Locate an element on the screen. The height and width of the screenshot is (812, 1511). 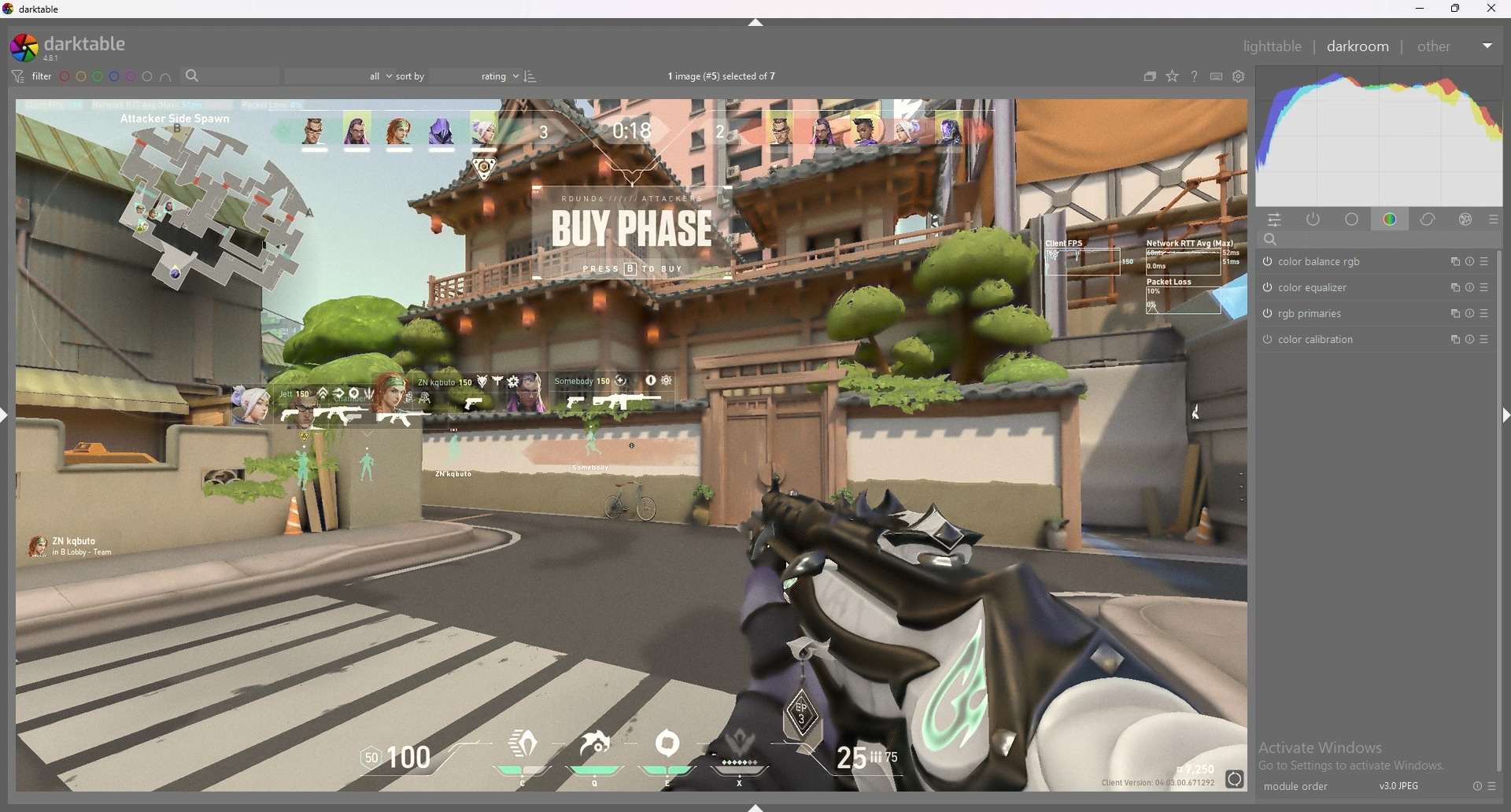
presets is located at coordinates (1493, 786).